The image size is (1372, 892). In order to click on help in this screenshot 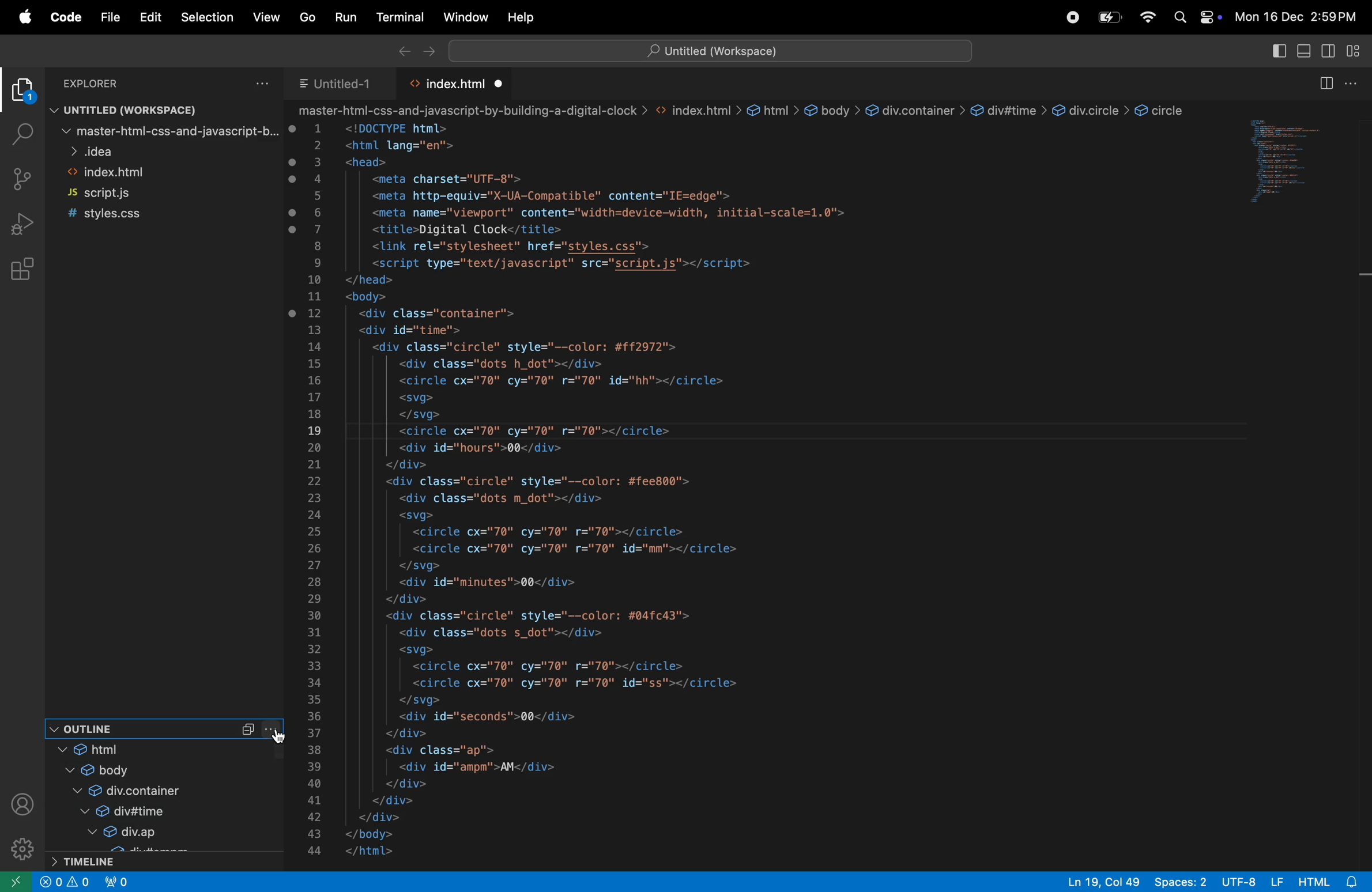, I will do `click(522, 18)`.